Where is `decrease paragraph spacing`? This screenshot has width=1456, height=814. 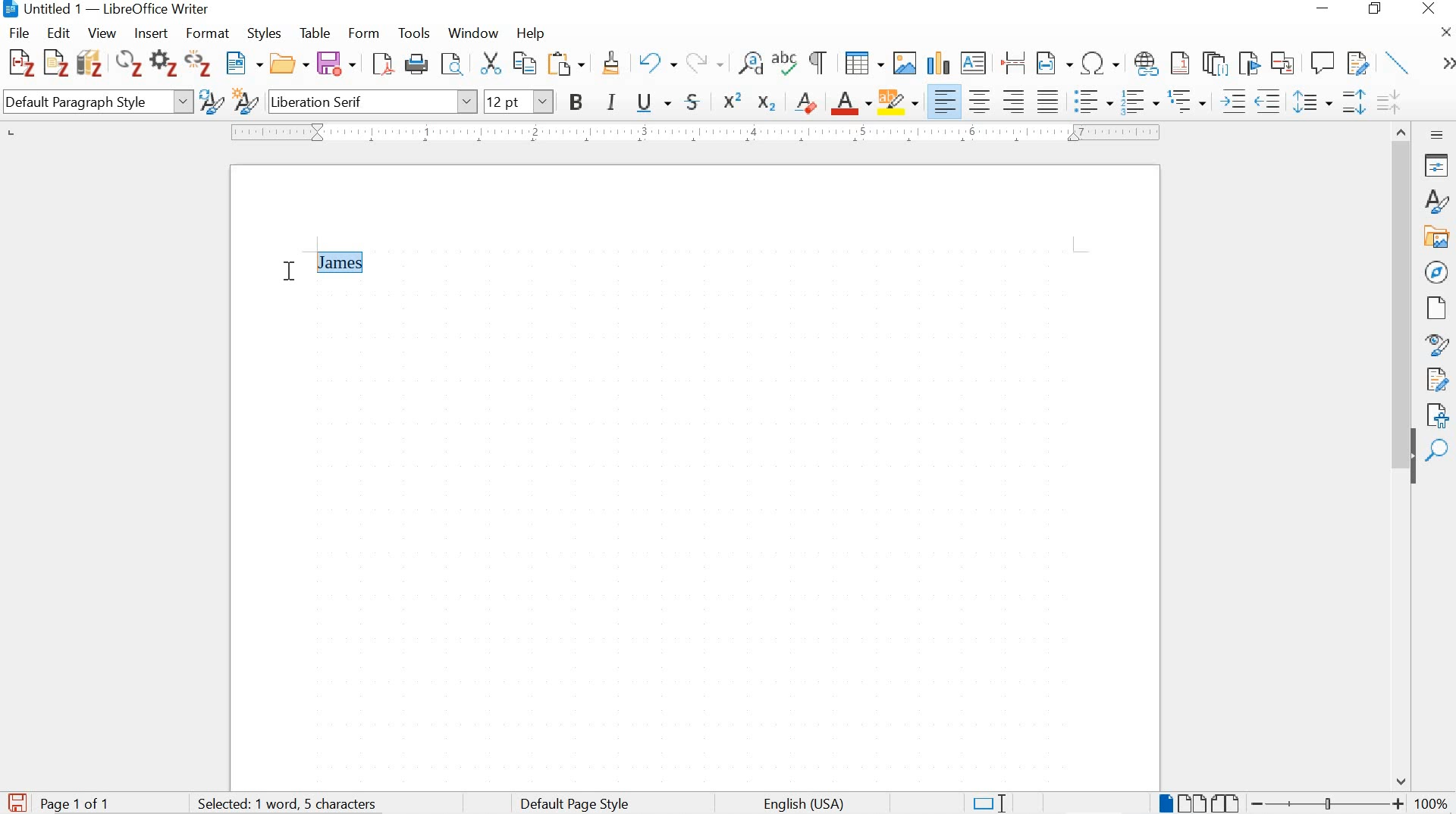
decrease paragraph spacing is located at coordinates (1388, 104).